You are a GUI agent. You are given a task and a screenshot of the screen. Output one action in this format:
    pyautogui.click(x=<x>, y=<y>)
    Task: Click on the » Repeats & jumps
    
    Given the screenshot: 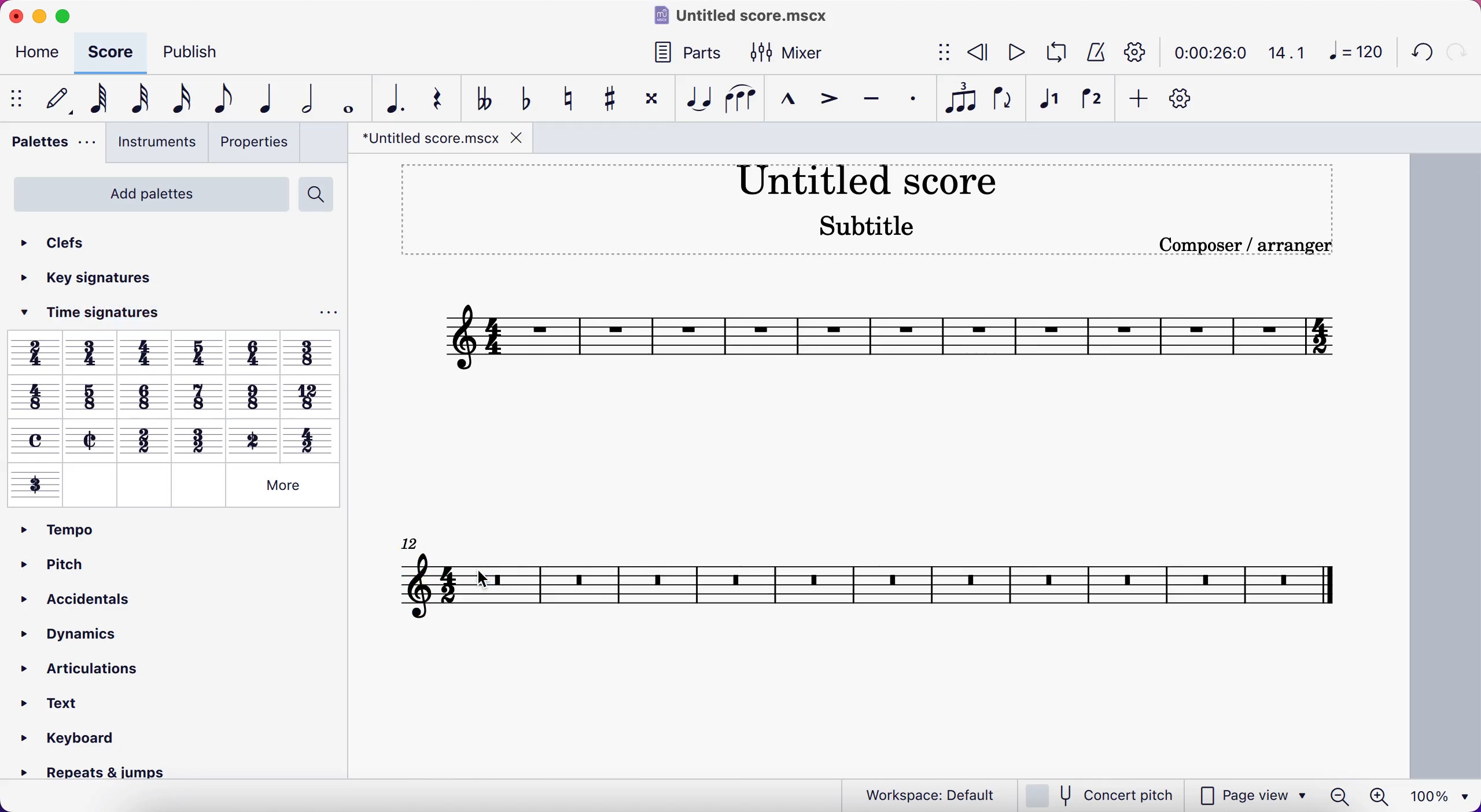 What is the action you would take?
    pyautogui.click(x=83, y=775)
    